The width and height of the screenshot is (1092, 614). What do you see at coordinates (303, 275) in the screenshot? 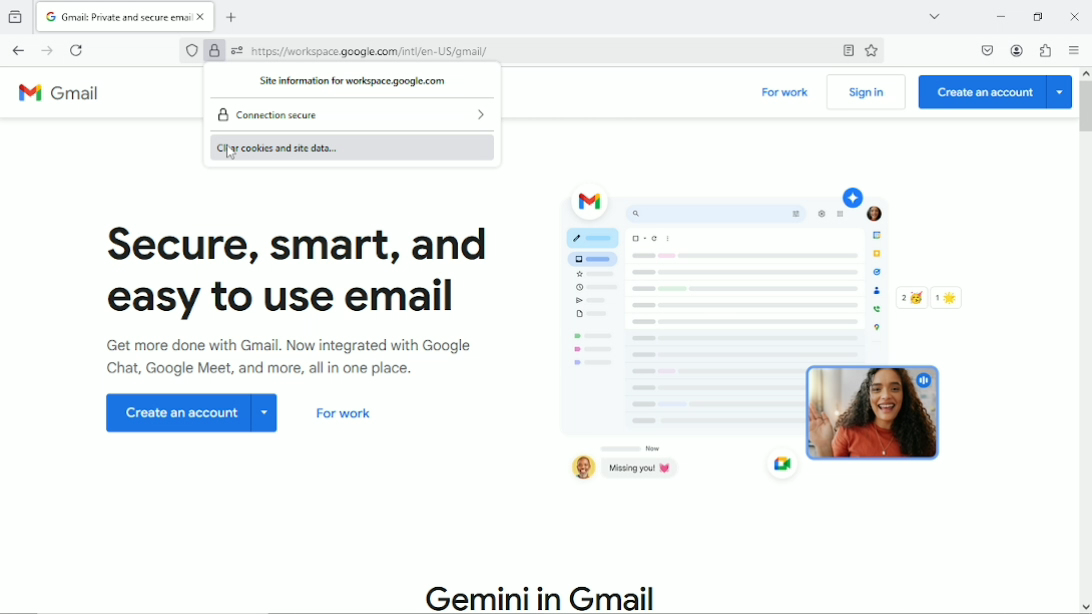
I see `Secure, smart and easy to use email.` at bounding box center [303, 275].